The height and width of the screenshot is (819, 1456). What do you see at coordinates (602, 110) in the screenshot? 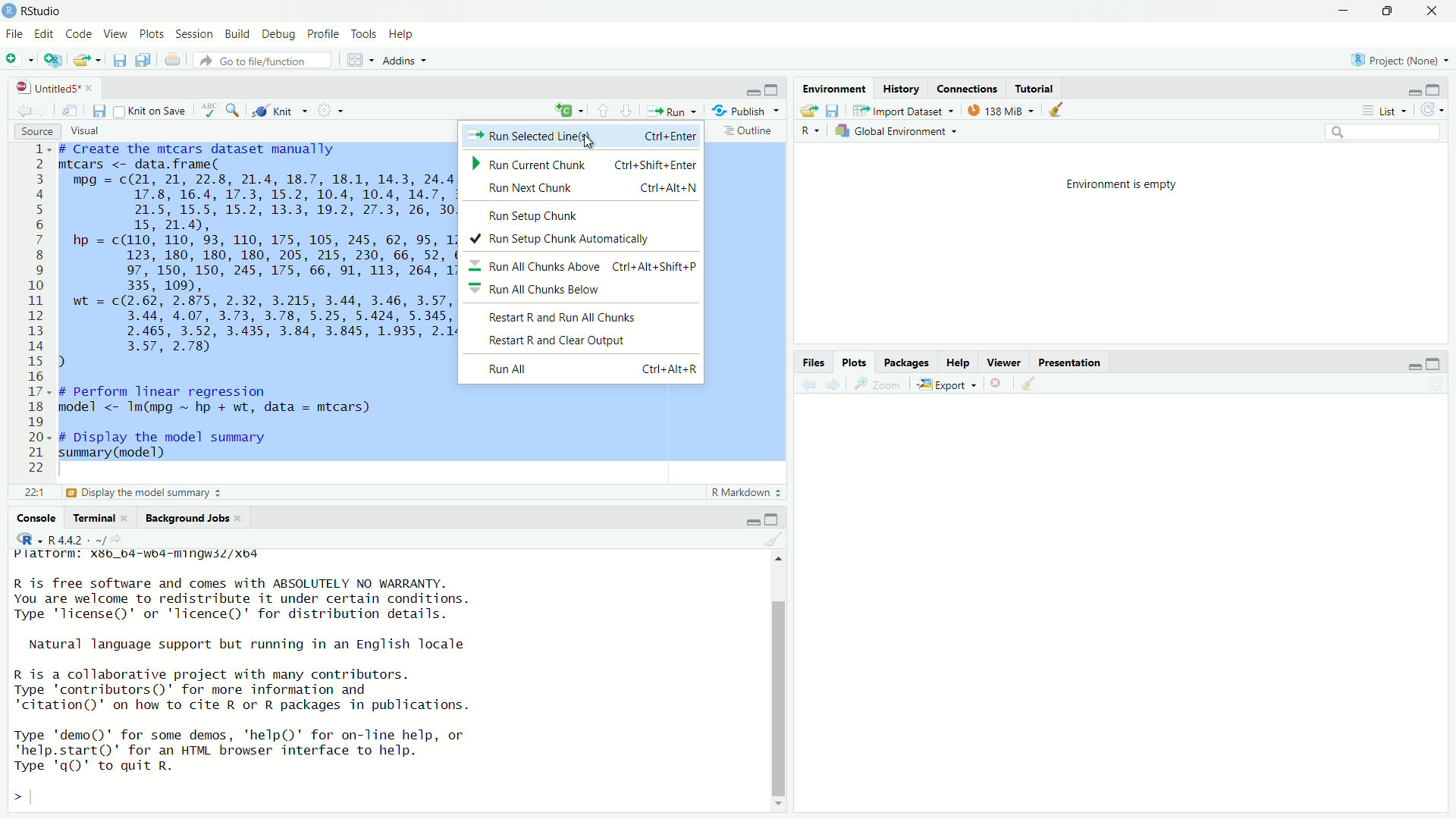
I see `go to previous section` at bounding box center [602, 110].